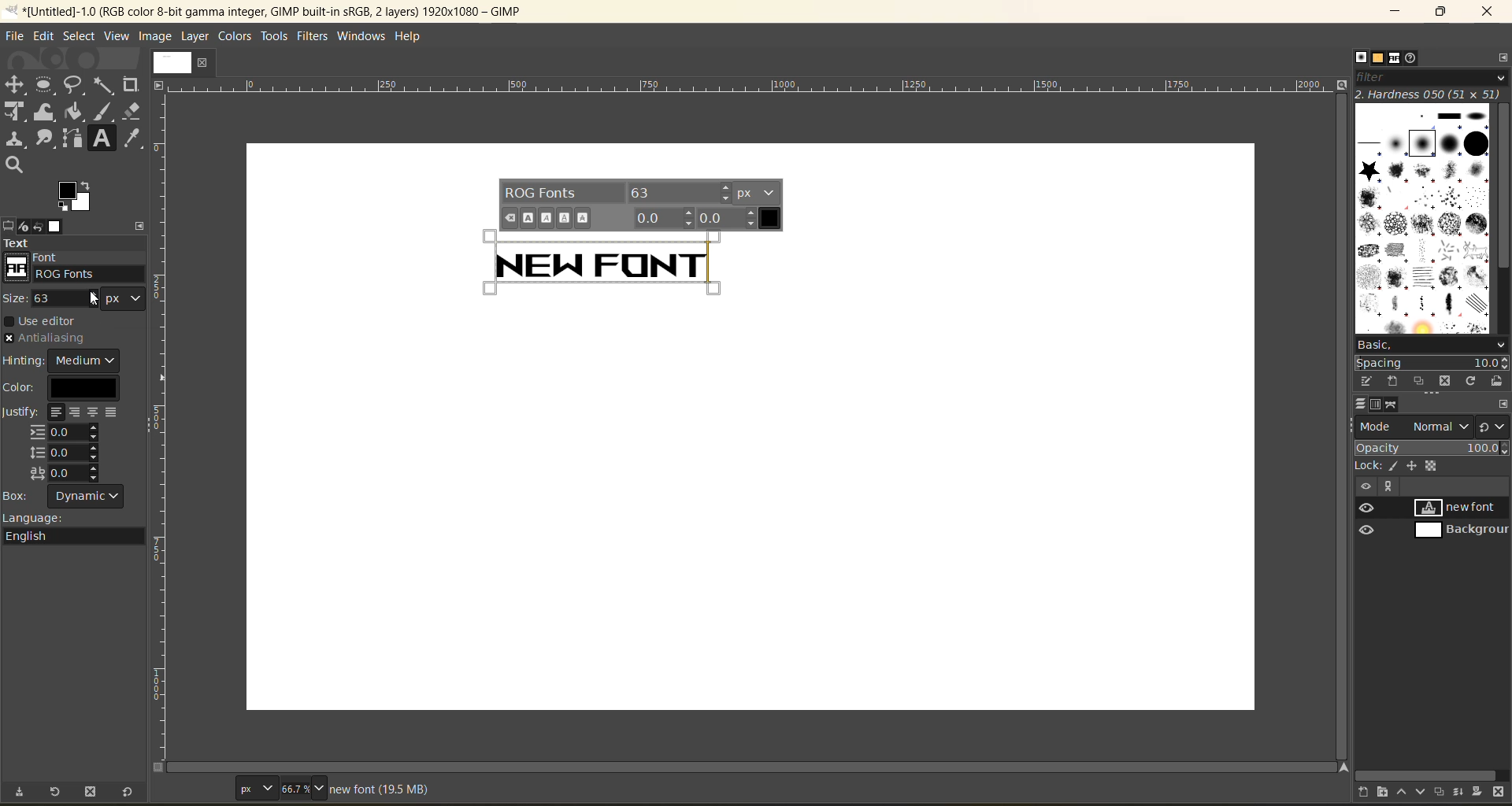  Describe the element at coordinates (57, 793) in the screenshot. I see `restore tool preset` at that location.